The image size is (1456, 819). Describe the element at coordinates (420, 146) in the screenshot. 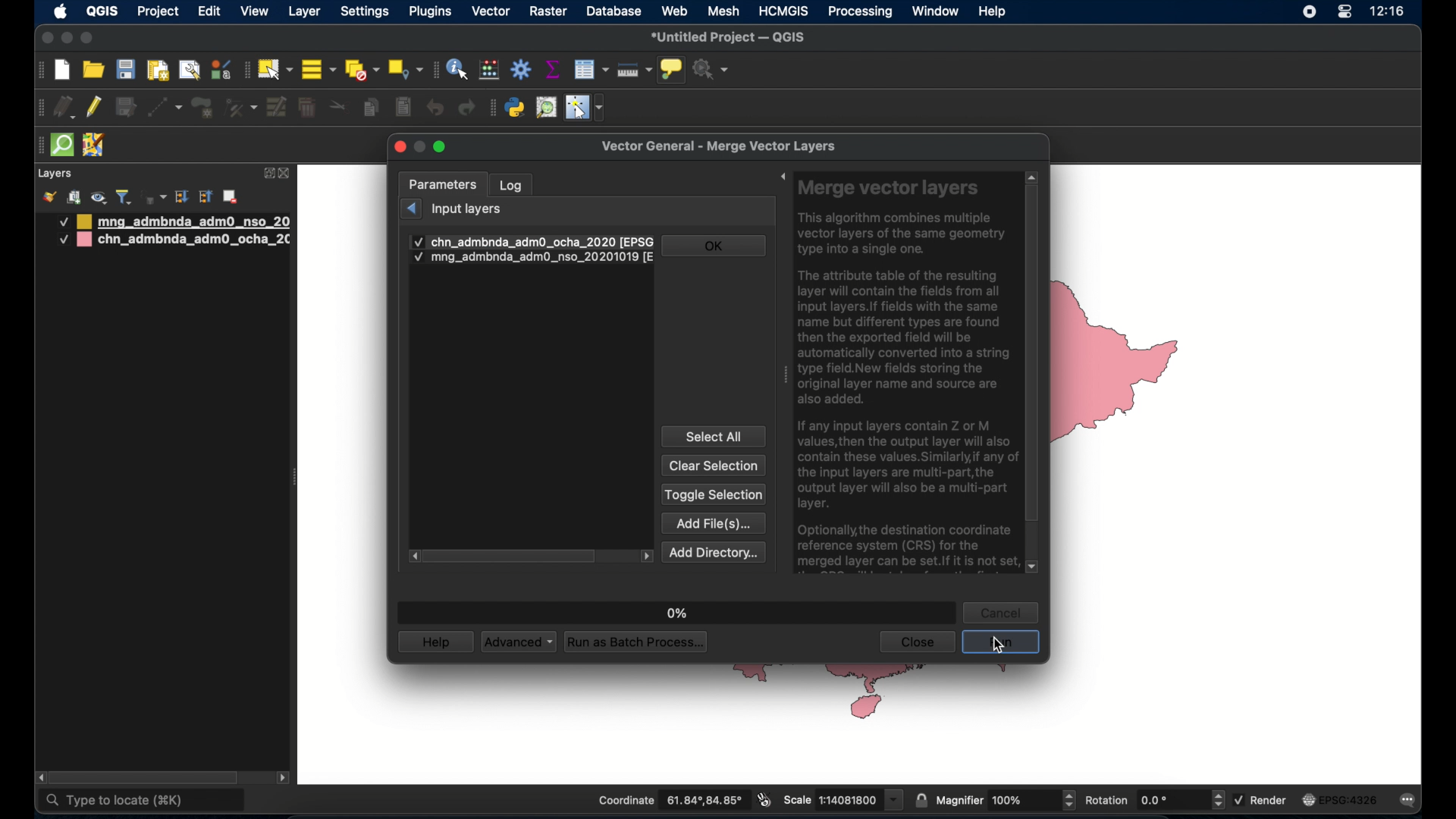

I see `minimize` at that location.